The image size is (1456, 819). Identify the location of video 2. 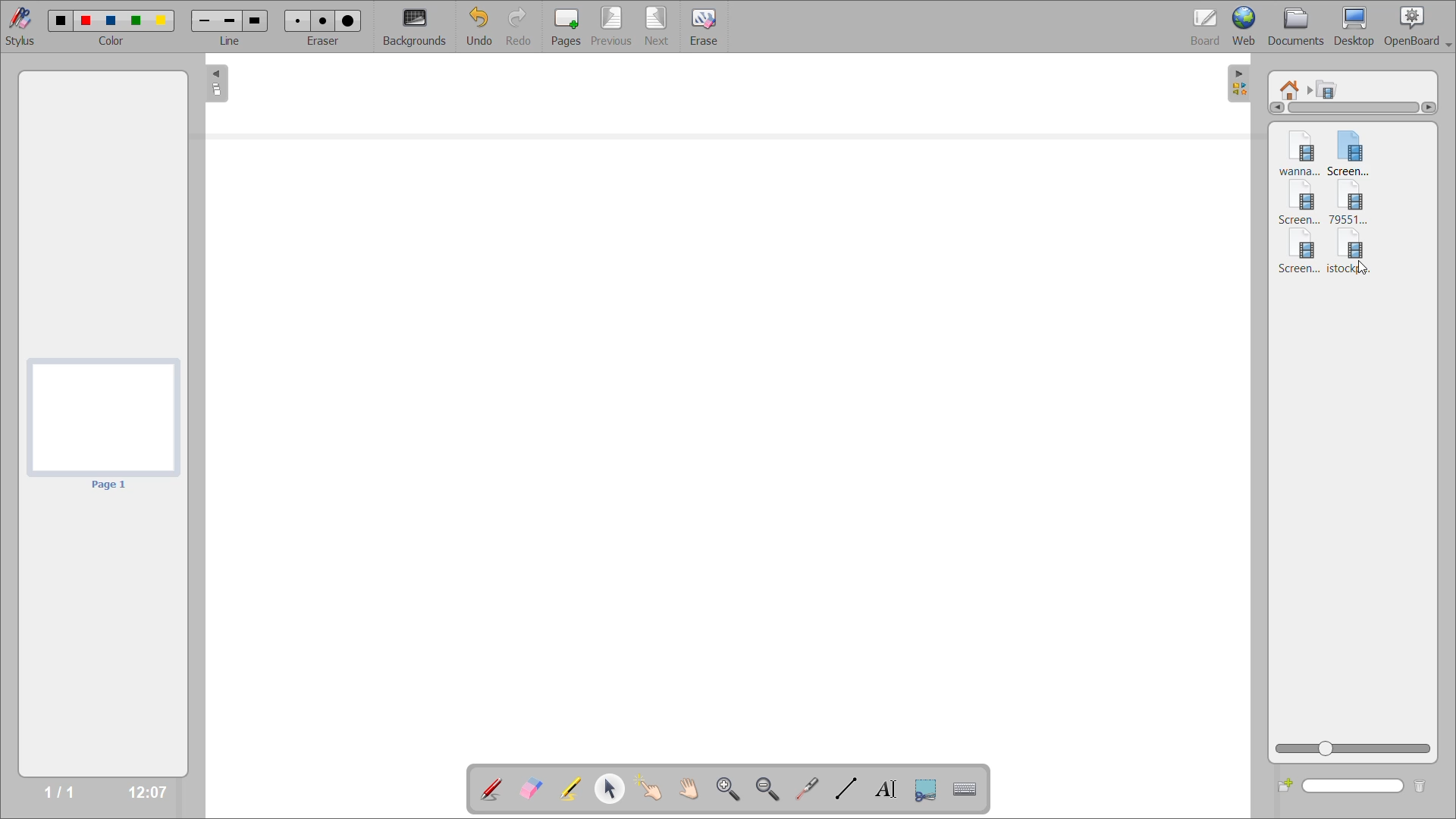
(1358, 150).